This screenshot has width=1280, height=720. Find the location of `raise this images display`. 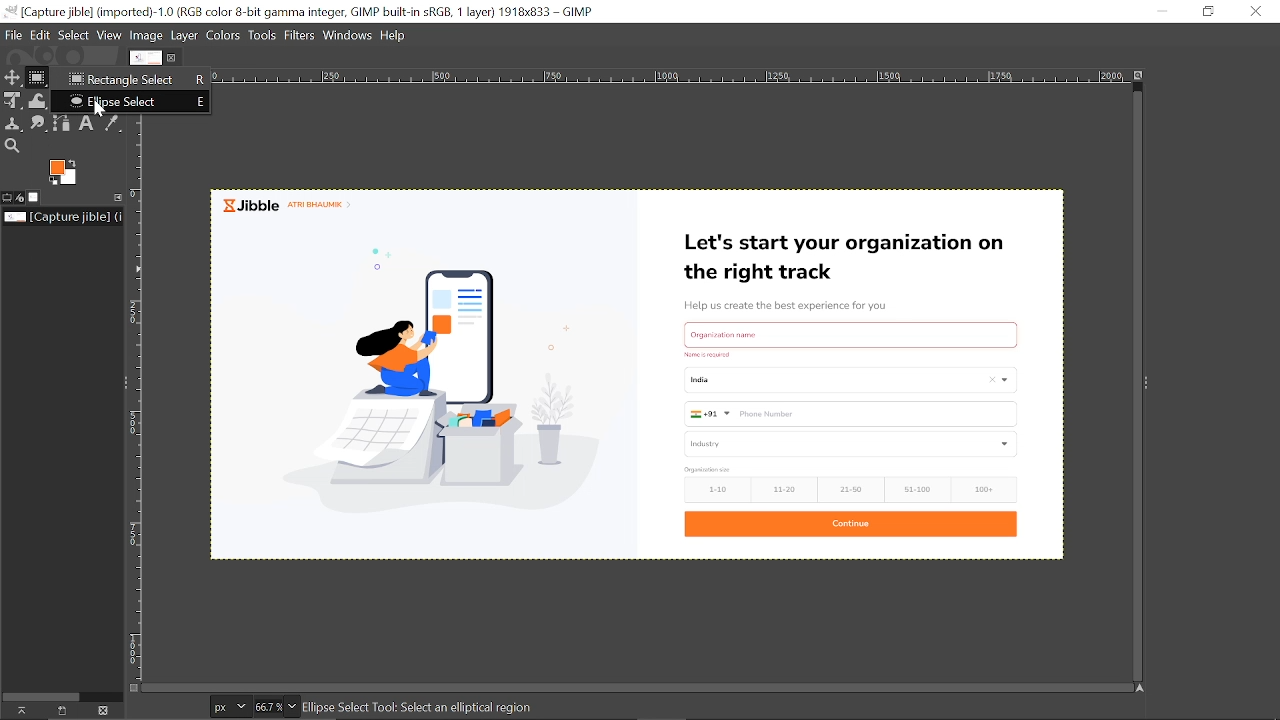

raise this images display is located at coordinates (18, 711).